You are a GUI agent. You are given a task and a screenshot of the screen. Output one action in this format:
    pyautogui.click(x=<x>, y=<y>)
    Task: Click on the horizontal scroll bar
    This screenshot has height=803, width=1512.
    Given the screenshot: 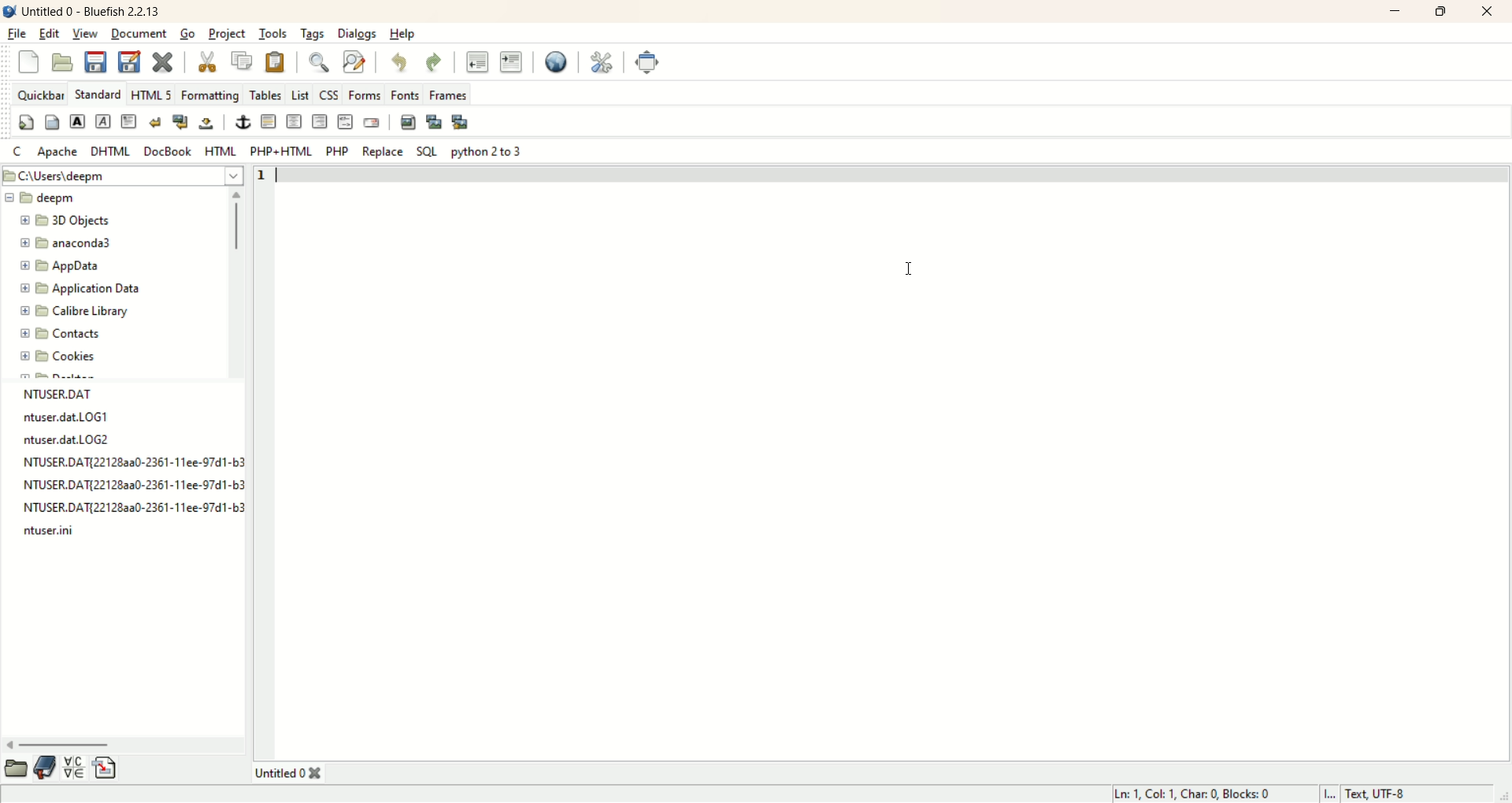 What is the action you would take?
    pyautogui.click(x=124, y=742)
    